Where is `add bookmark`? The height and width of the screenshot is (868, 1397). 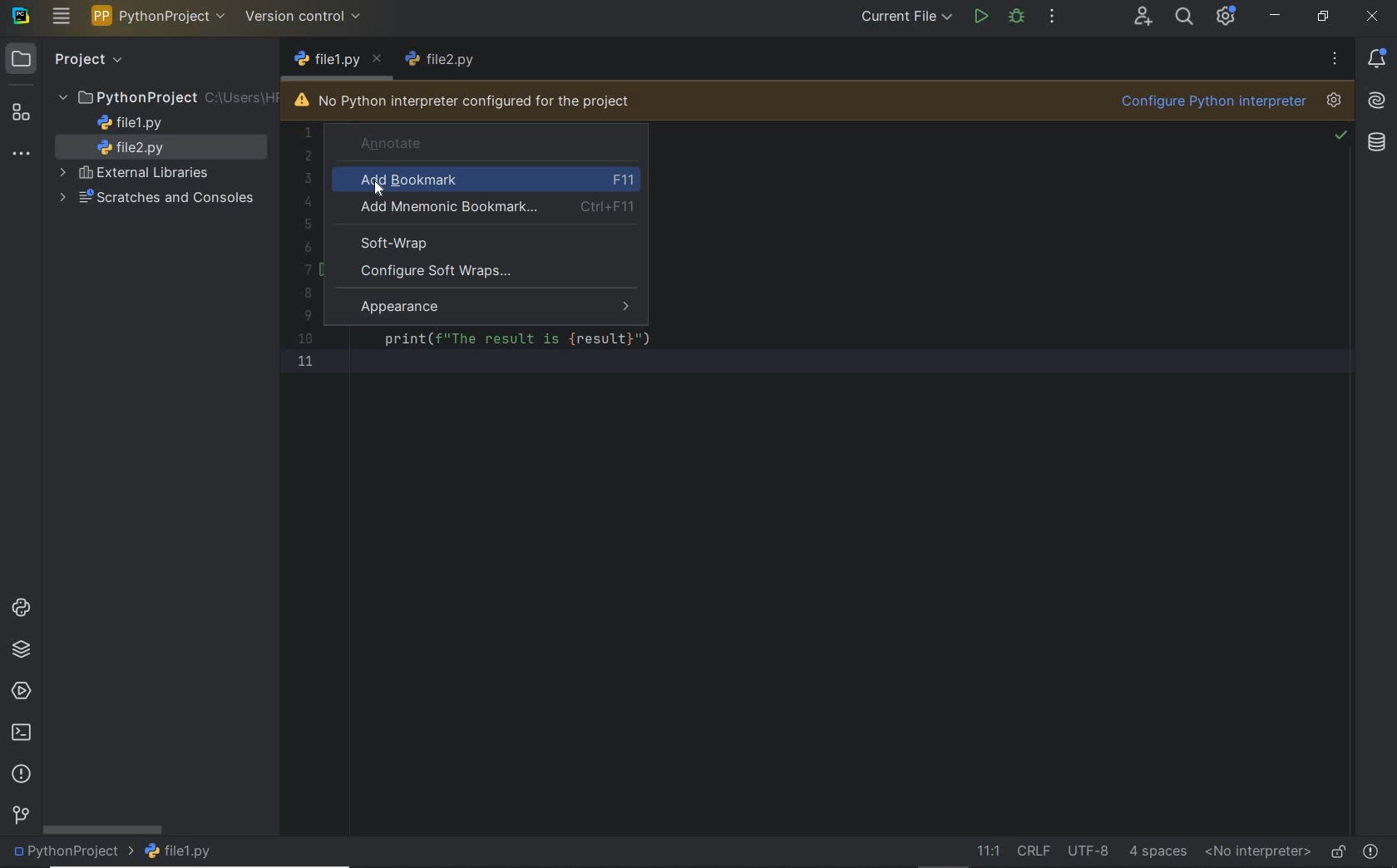 add bookmark is located at coordinates (493, 181).